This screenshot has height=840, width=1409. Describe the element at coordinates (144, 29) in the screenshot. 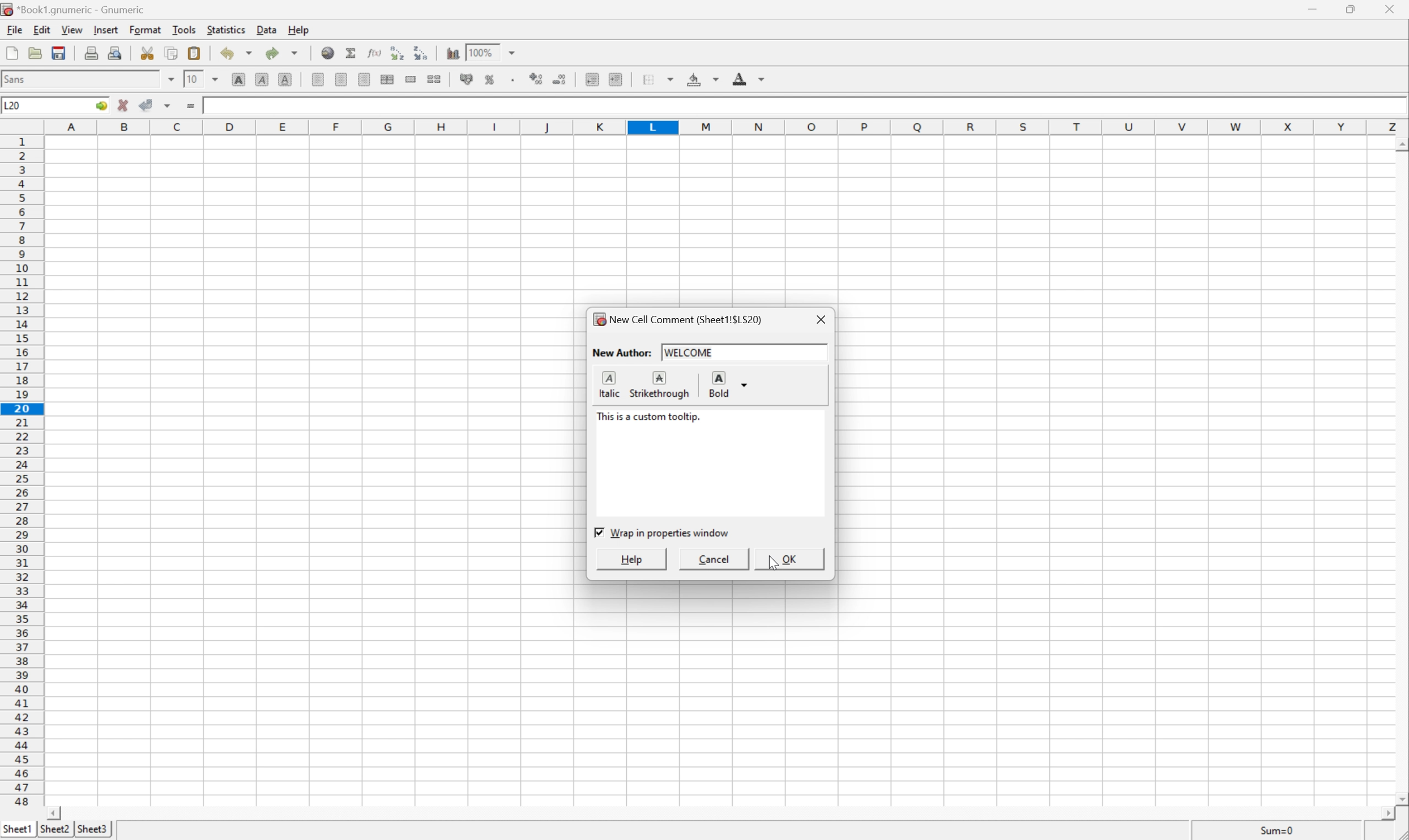

I see `Format` at that location.